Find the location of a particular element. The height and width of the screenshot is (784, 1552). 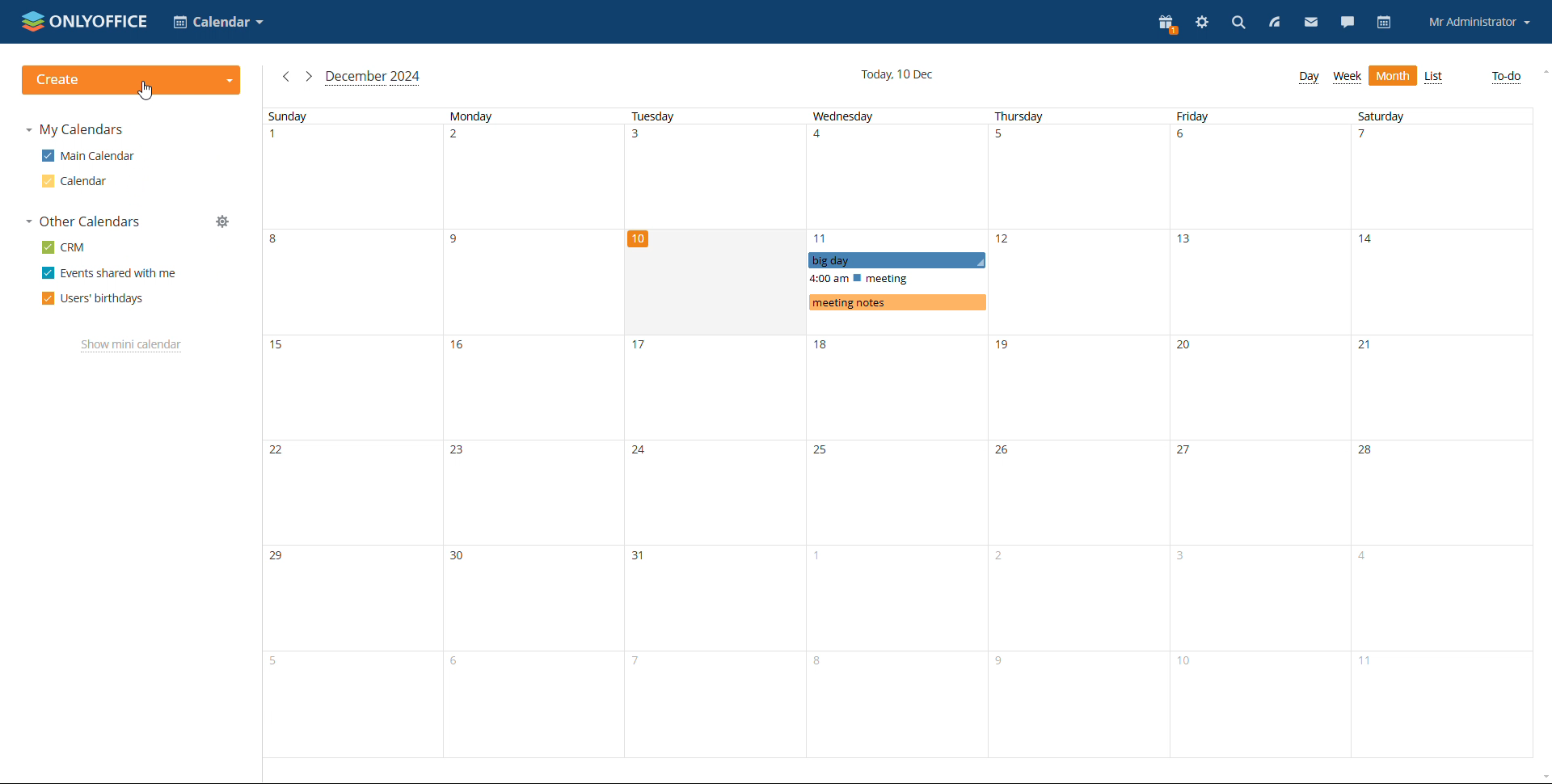

create is located at coordinates (135, 78).